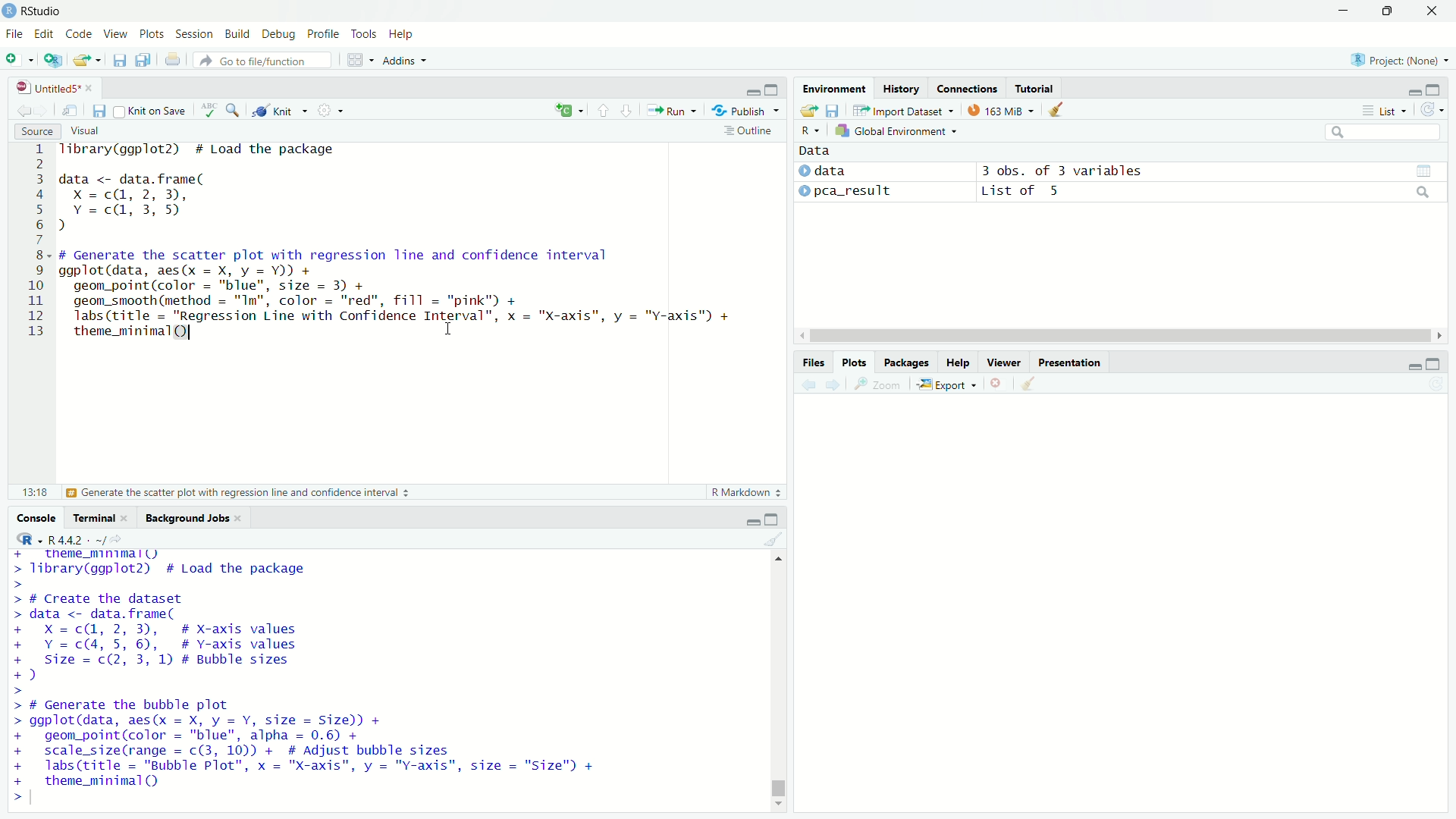  I want to click on Data, so click(814, 151).